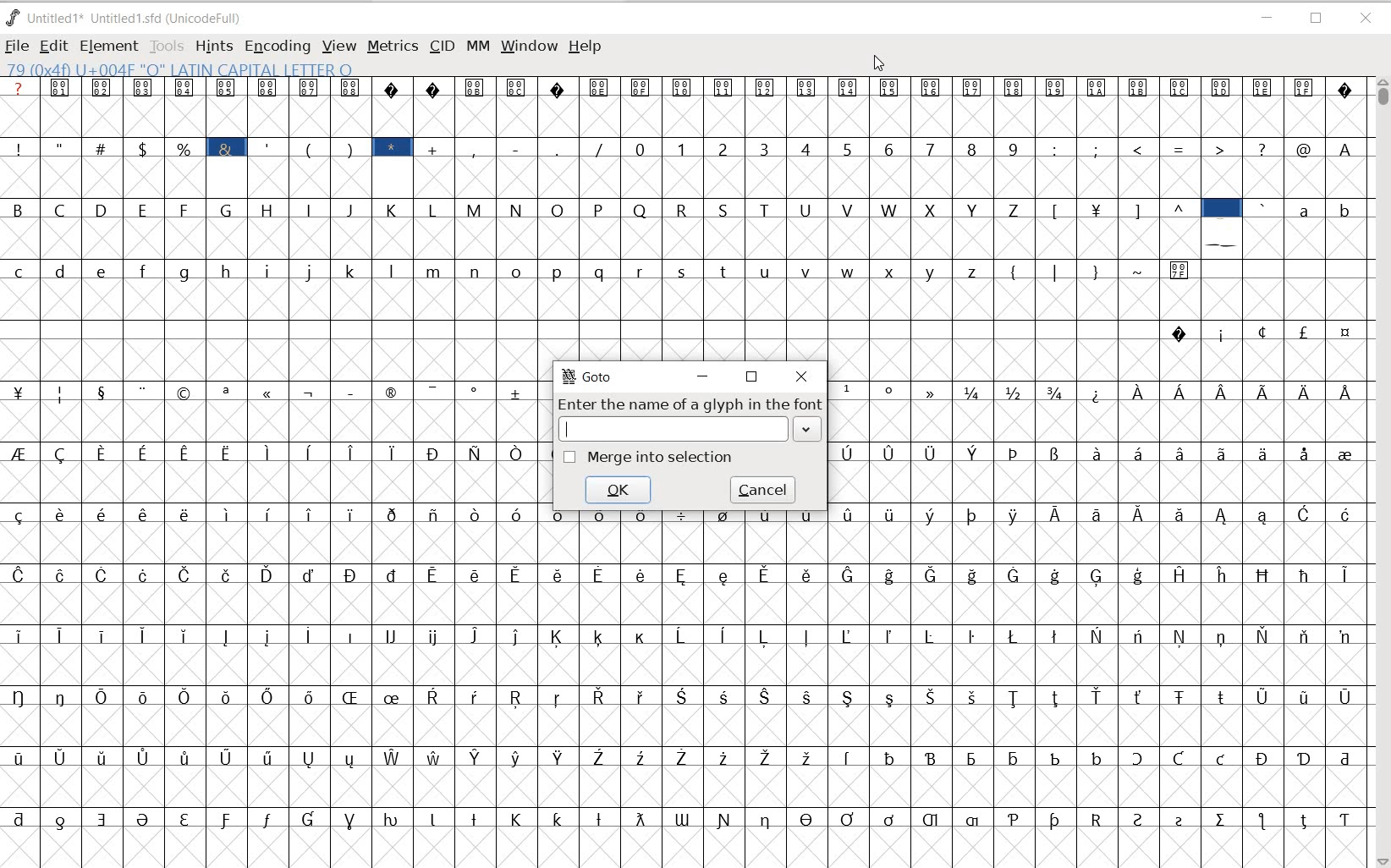 This screenshot has height=868, width=1391. I want to click on VIEW, so click(338, 47).